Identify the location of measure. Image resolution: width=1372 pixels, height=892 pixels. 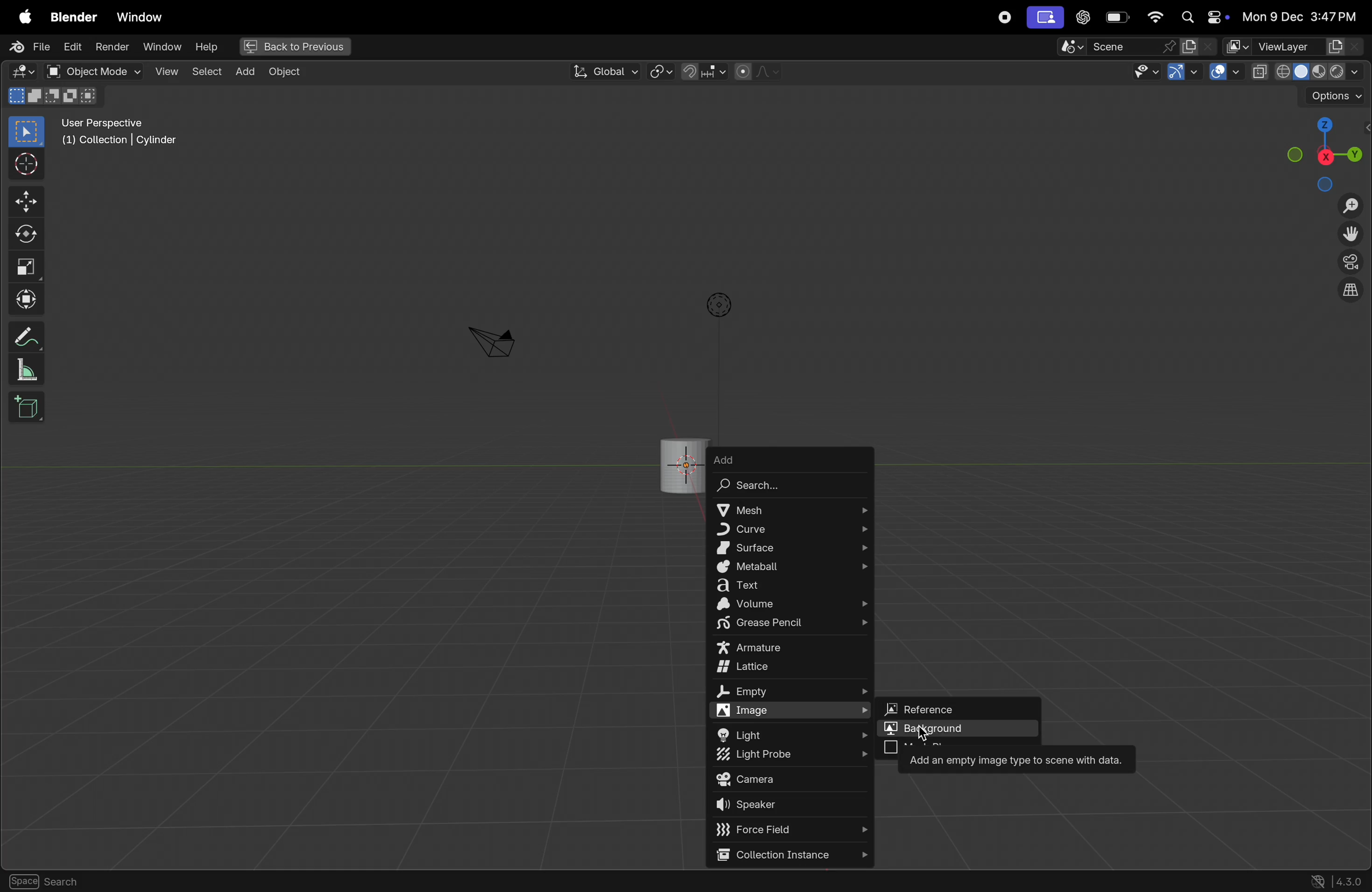
(28, 371).